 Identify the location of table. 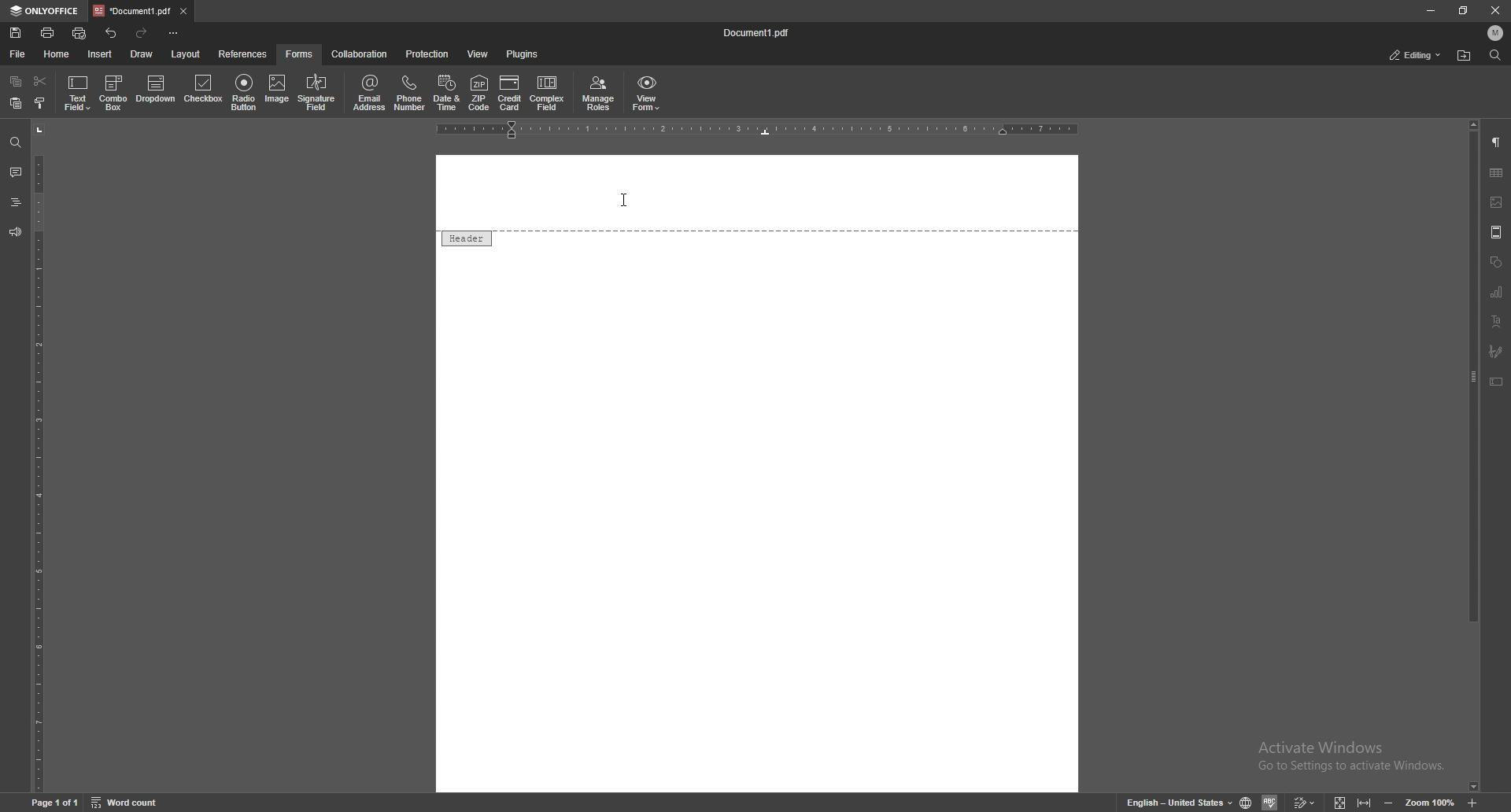
(1498, 173).